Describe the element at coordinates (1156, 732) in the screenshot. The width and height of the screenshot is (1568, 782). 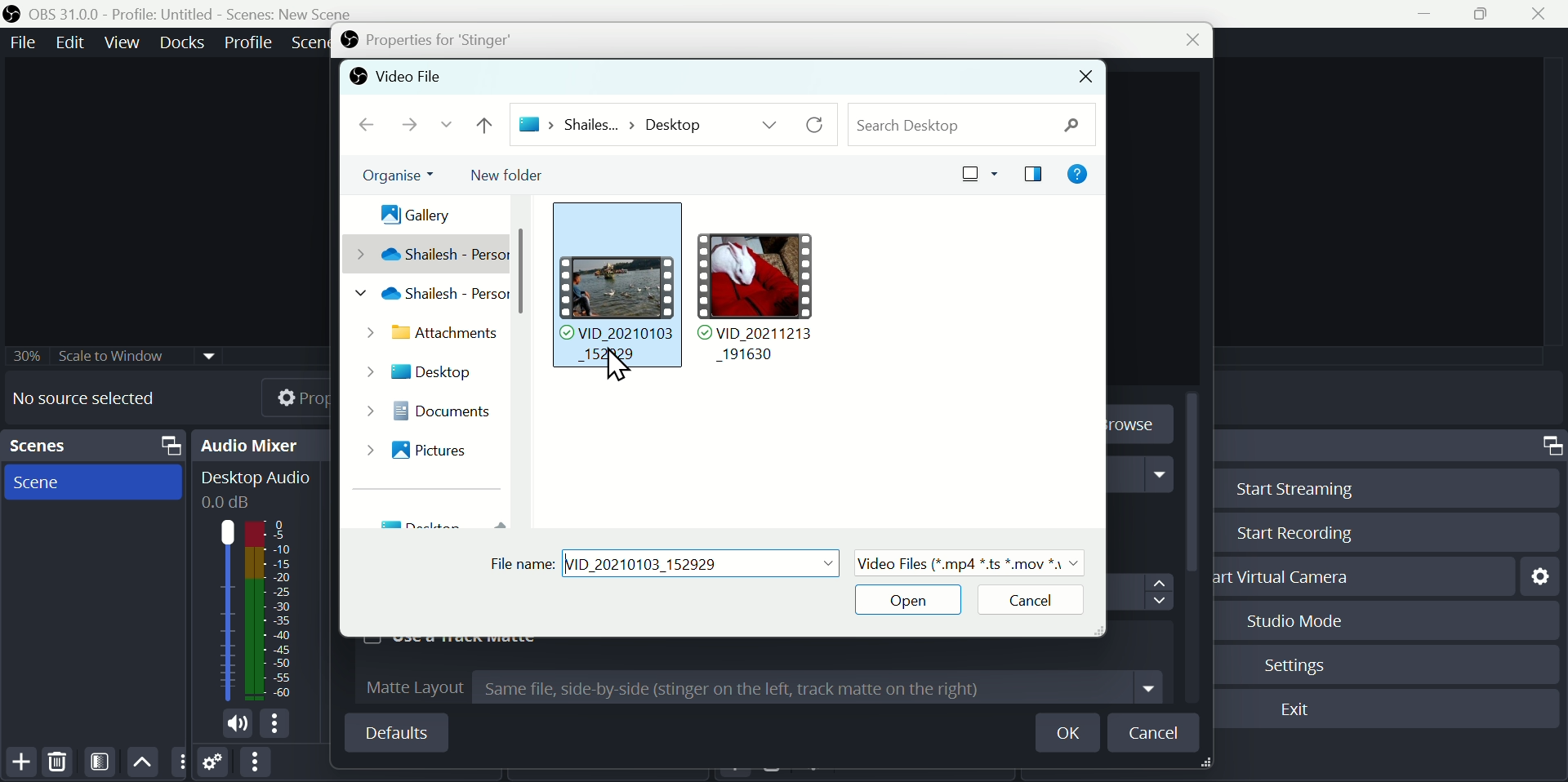
I see `Cancel` at that location.